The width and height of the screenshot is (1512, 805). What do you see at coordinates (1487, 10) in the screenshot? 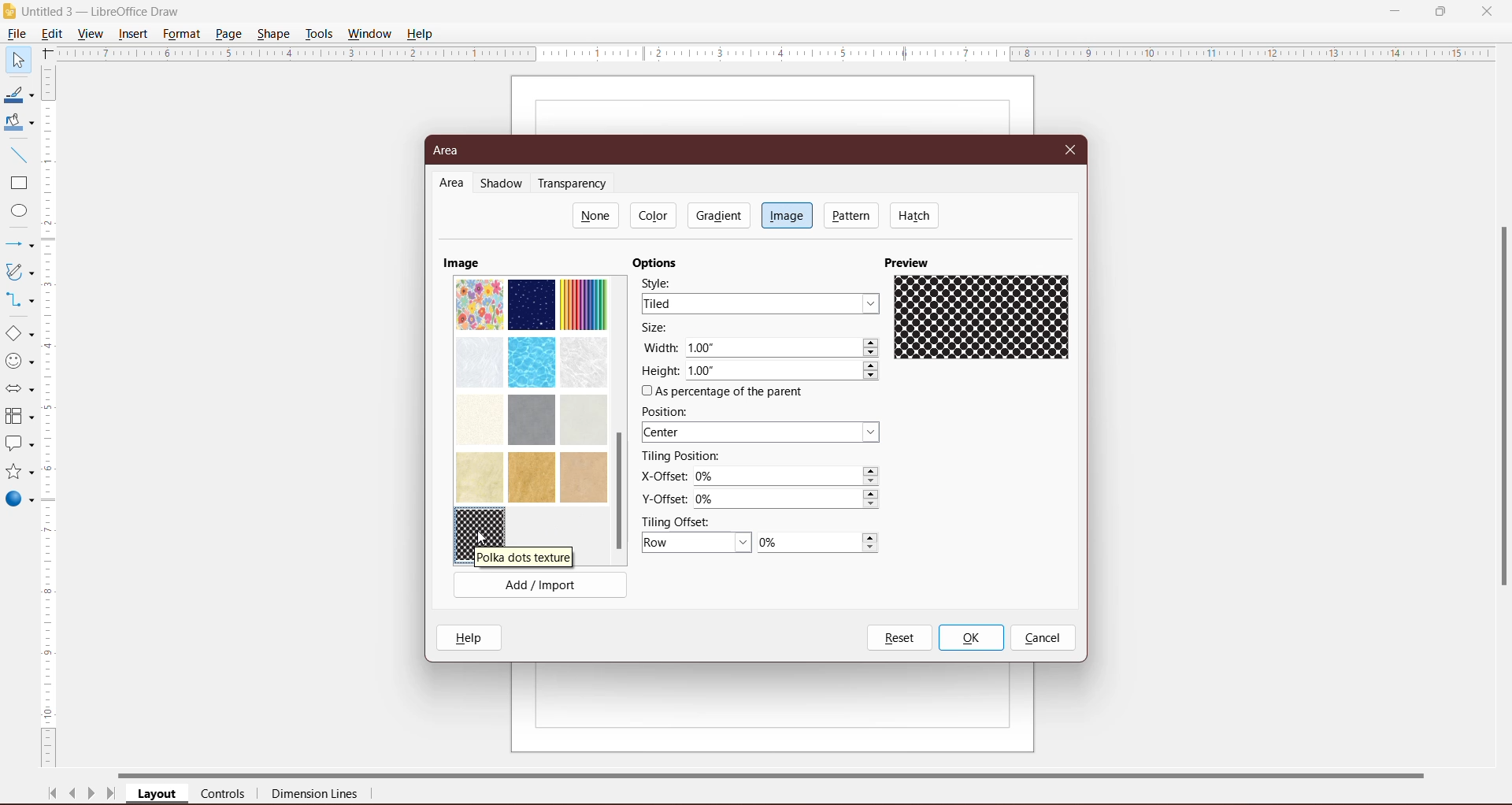
I see `Close` at bounding box center [1487, 10].